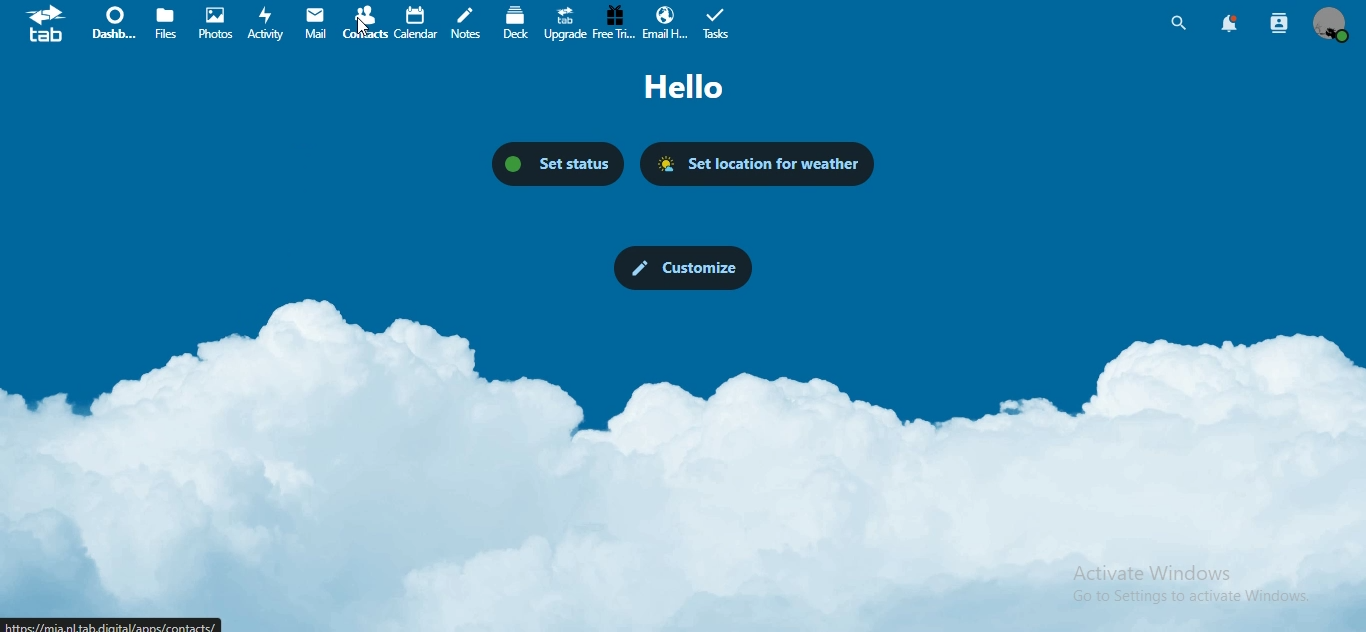 The width and height of the screenshot is (1366, 632). What do you see at coordinates (366, 21) in the screenshot?
I see `contact` at bounding box center [366, 21].